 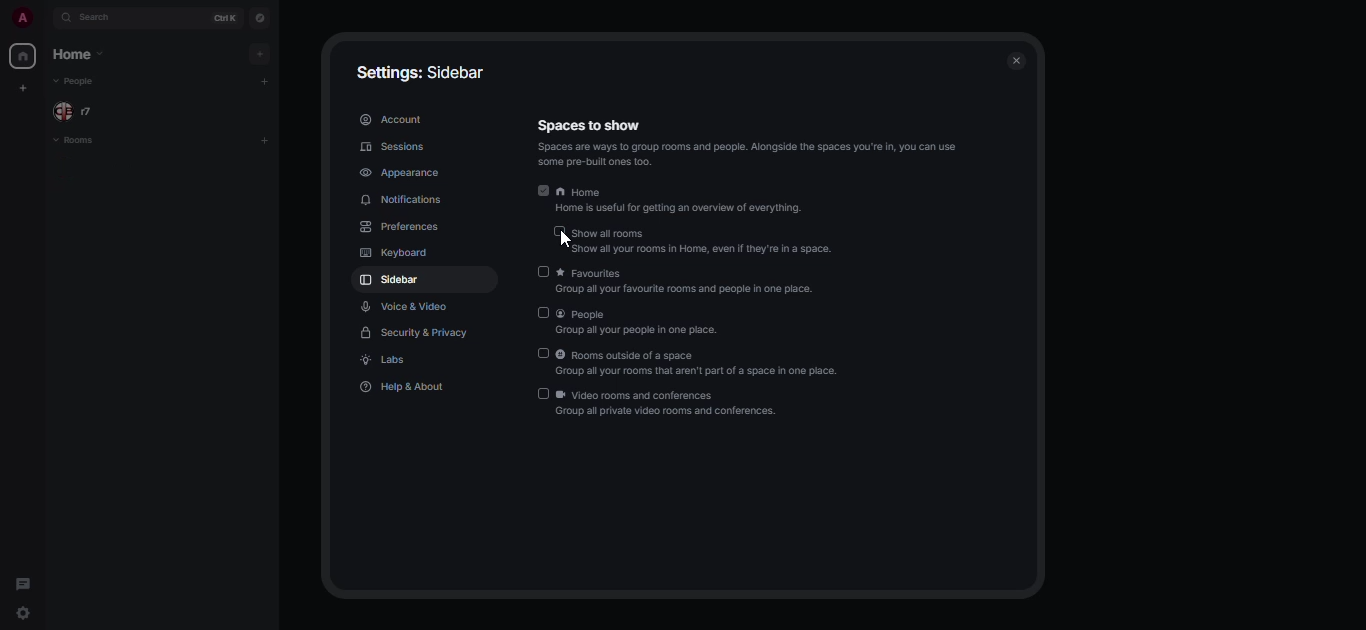 I want to click on rooms outside of a space, so click(x=700, y=364).